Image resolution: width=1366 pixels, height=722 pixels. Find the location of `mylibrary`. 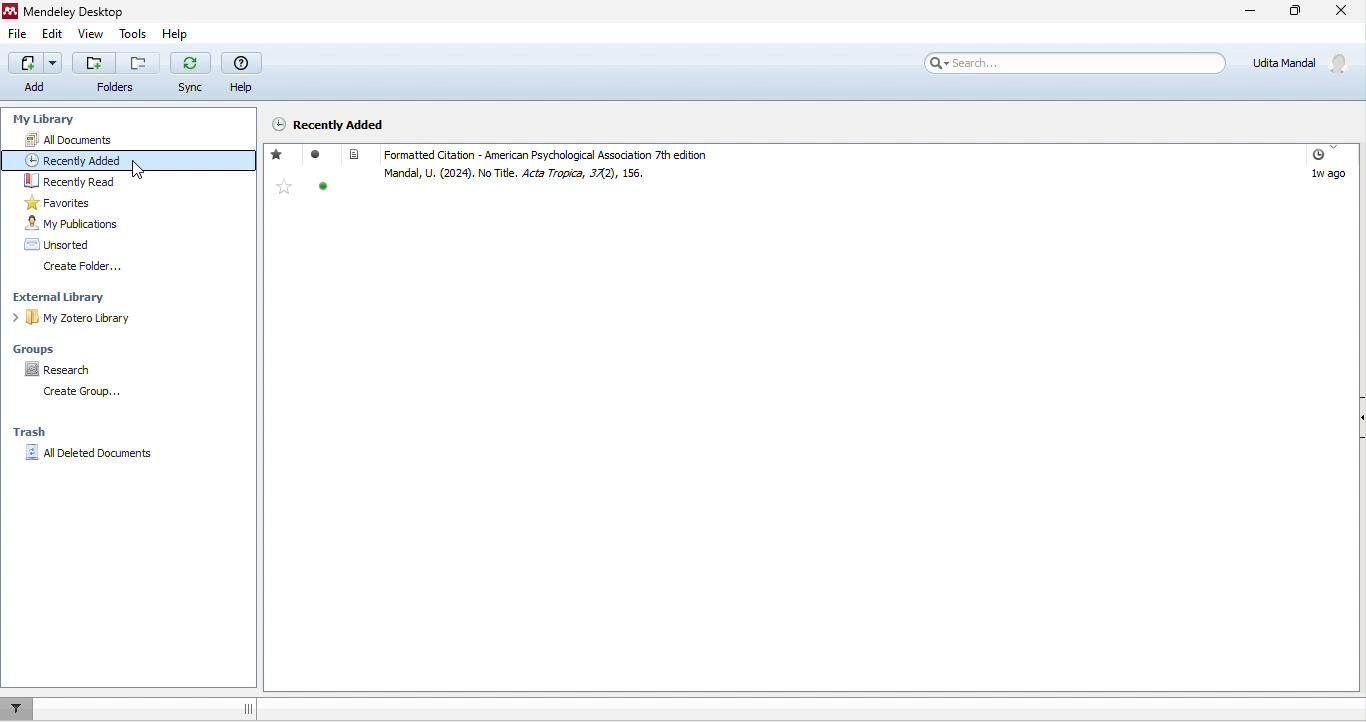

mylibrary is located at coordinates (43, 121).